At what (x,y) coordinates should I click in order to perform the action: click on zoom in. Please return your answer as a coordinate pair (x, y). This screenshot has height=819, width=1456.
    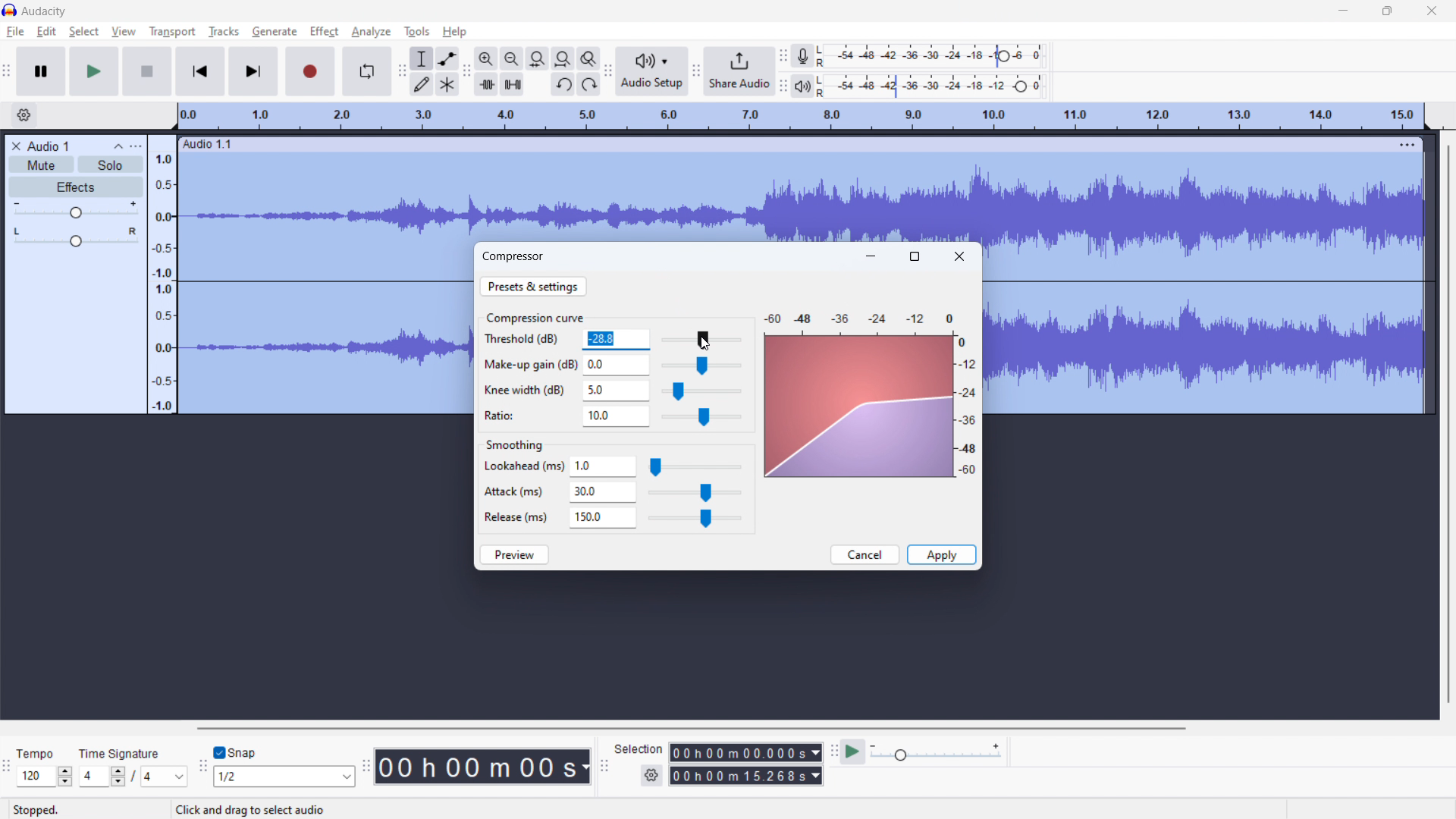
    Looking at the image, I should click on (486, 58).